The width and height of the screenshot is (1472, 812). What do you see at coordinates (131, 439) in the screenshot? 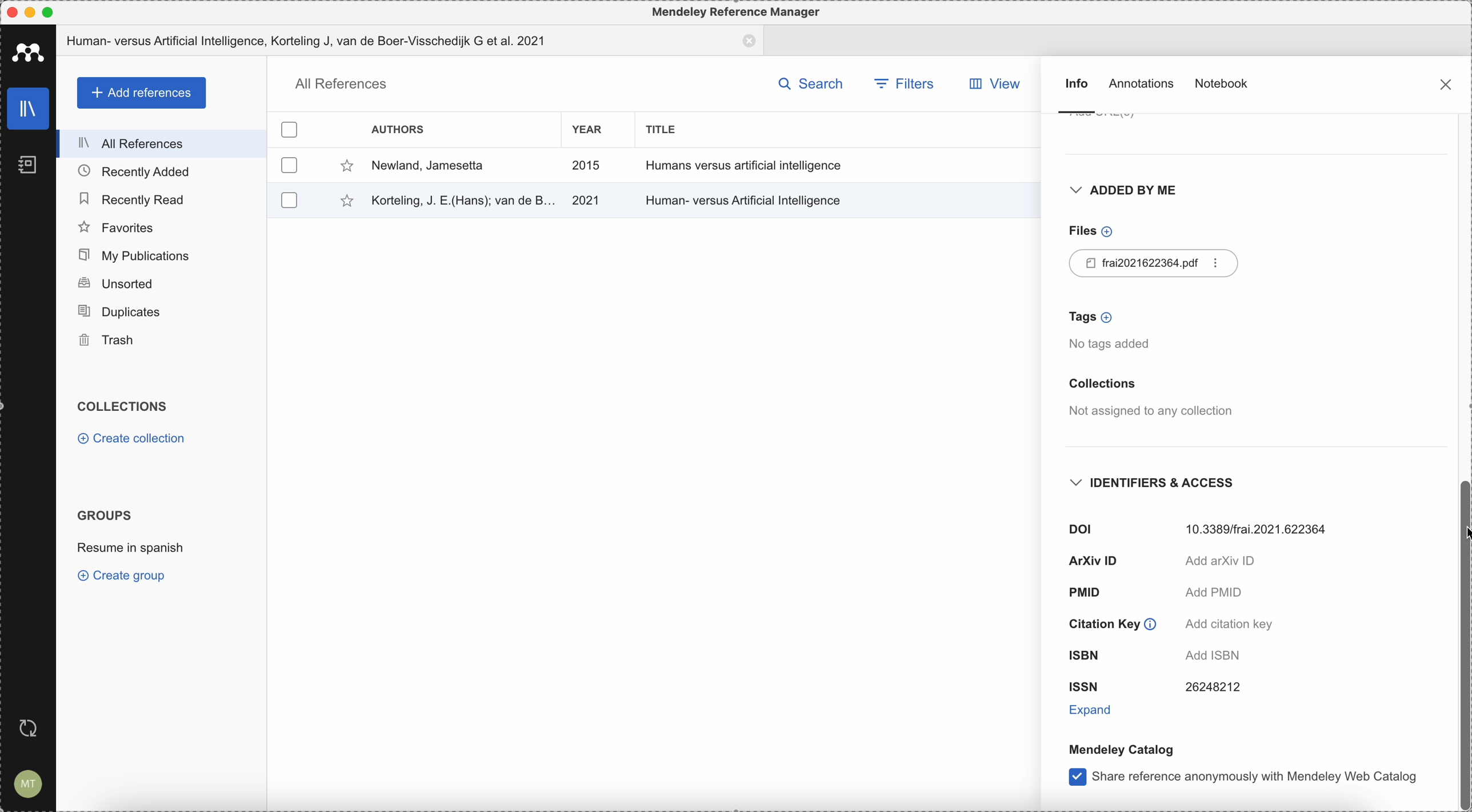
I see `create collection` at bounding box center [131, 439].